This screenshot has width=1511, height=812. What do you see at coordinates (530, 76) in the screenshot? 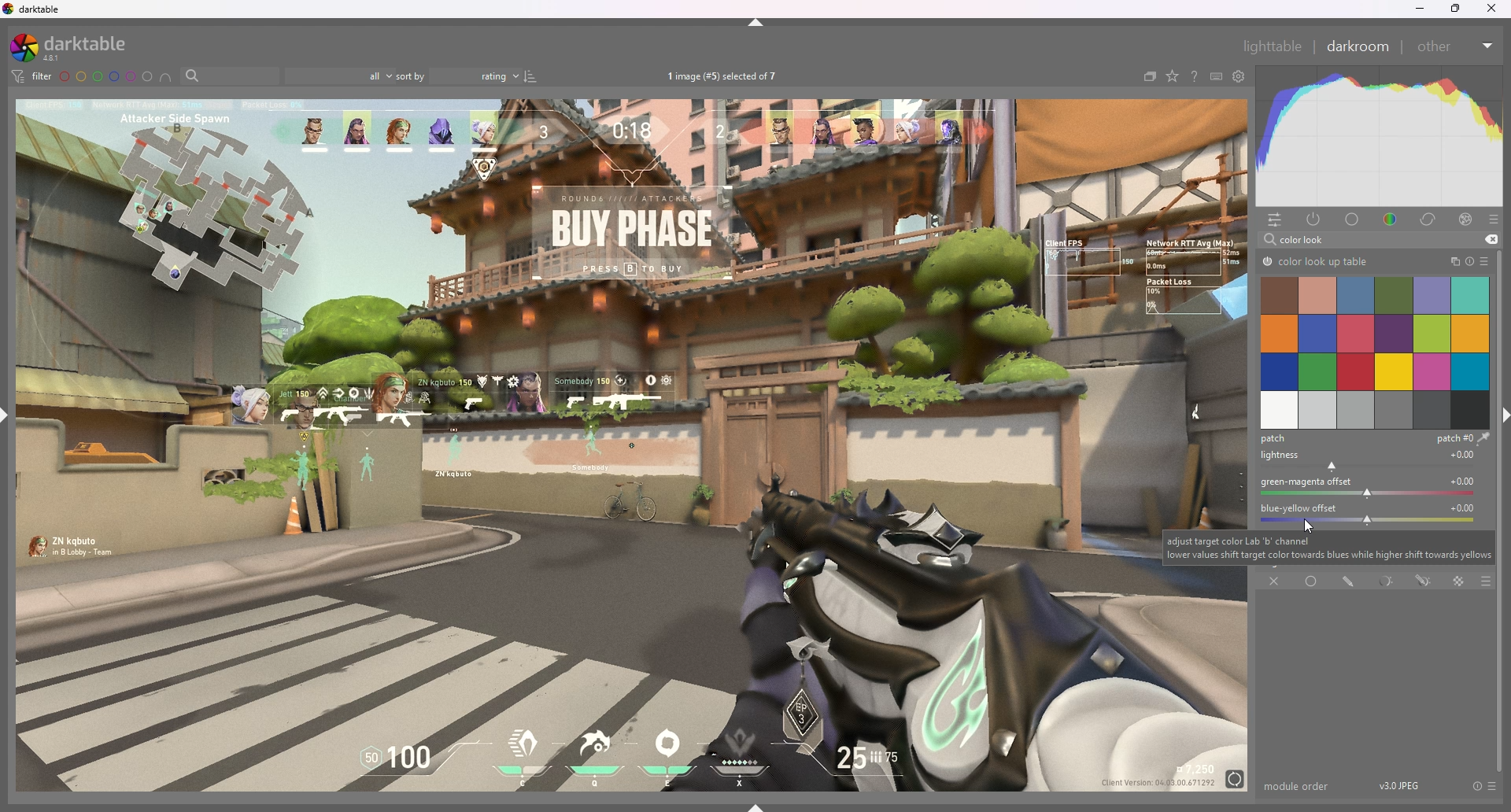
I see `reverse sort order` at bounding box center [530, 76].